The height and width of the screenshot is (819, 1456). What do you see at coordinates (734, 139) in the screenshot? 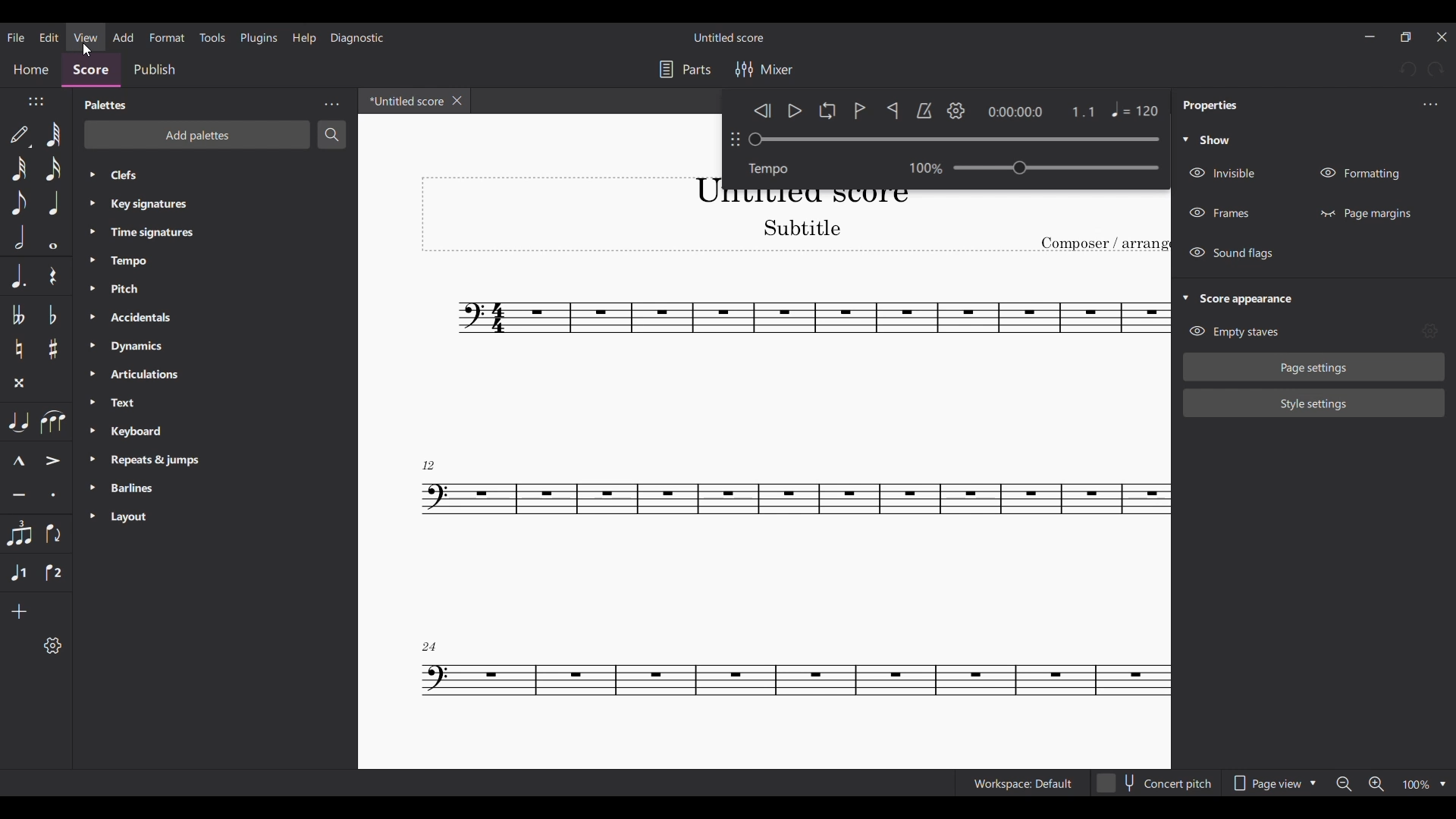
I see `Change position` at bounding box center [734, 139].